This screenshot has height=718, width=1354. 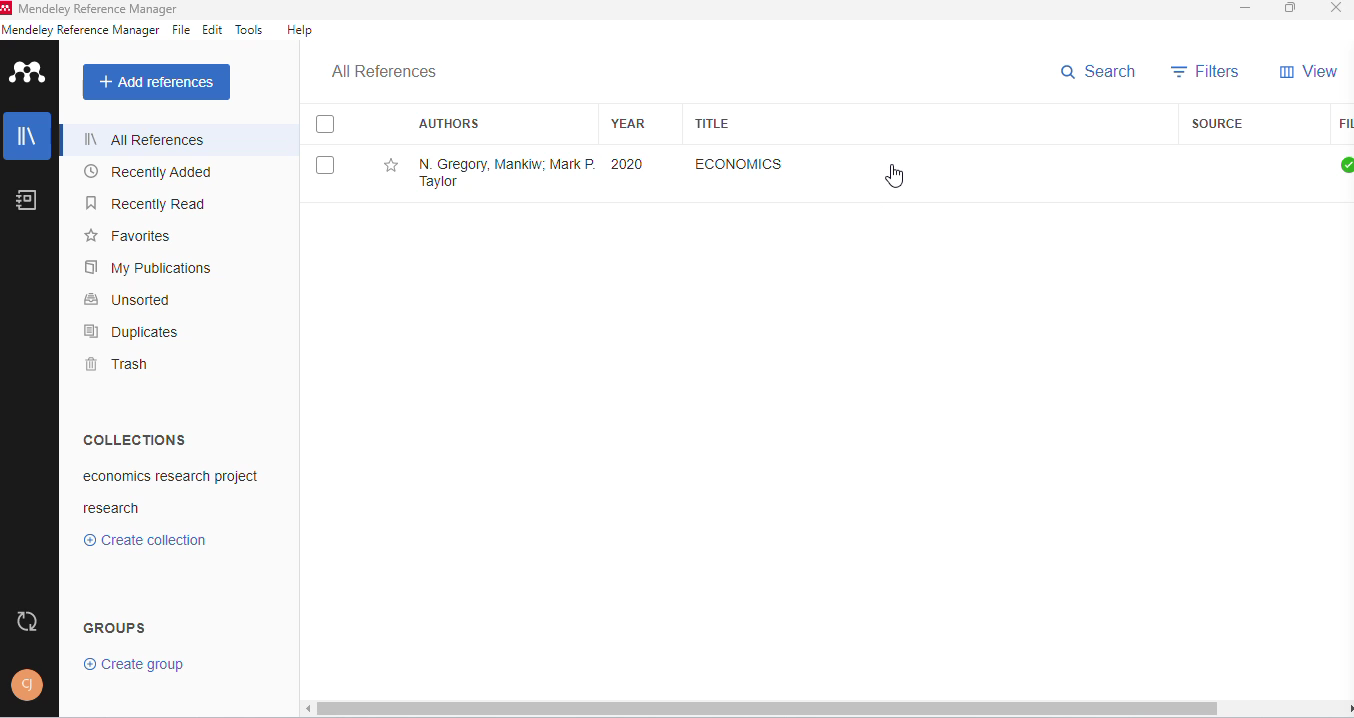 I want to click on economics, so click(x=739, y=164).